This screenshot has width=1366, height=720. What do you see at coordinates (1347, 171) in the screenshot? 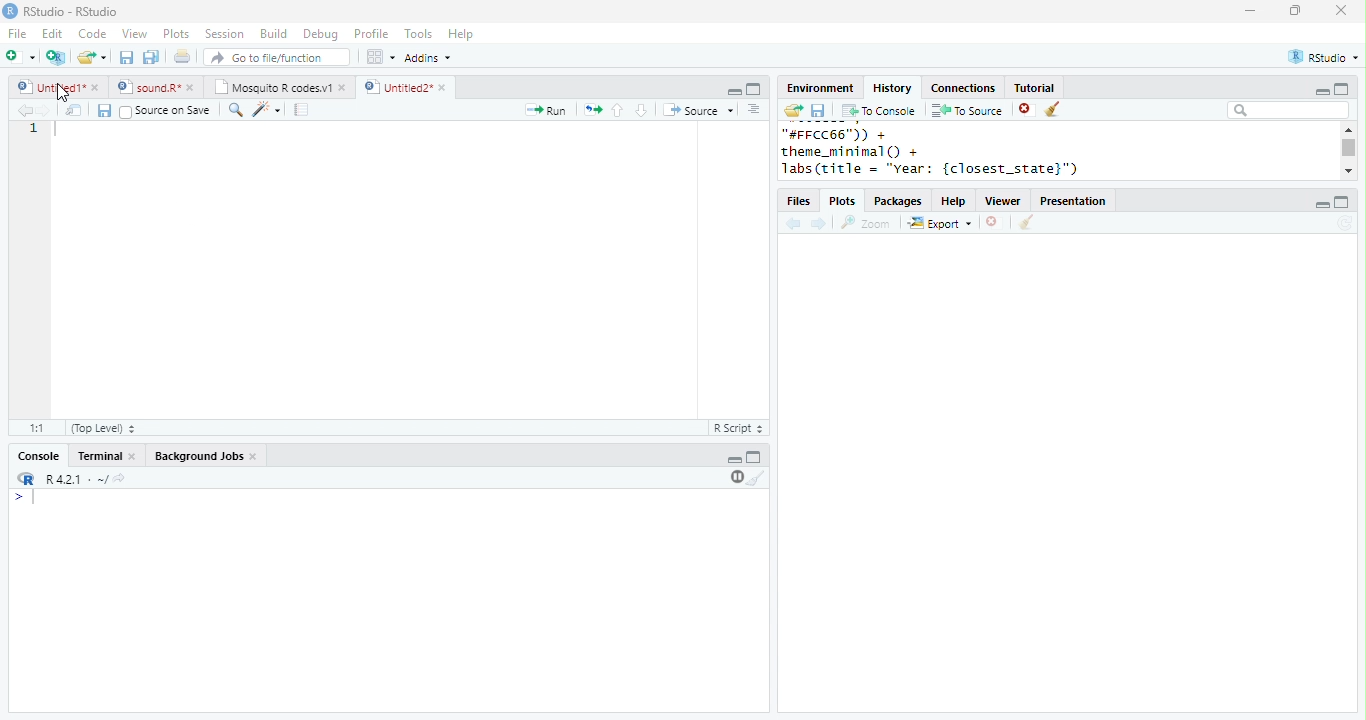
I see `scroll down` at bounding box center [1347, 171].